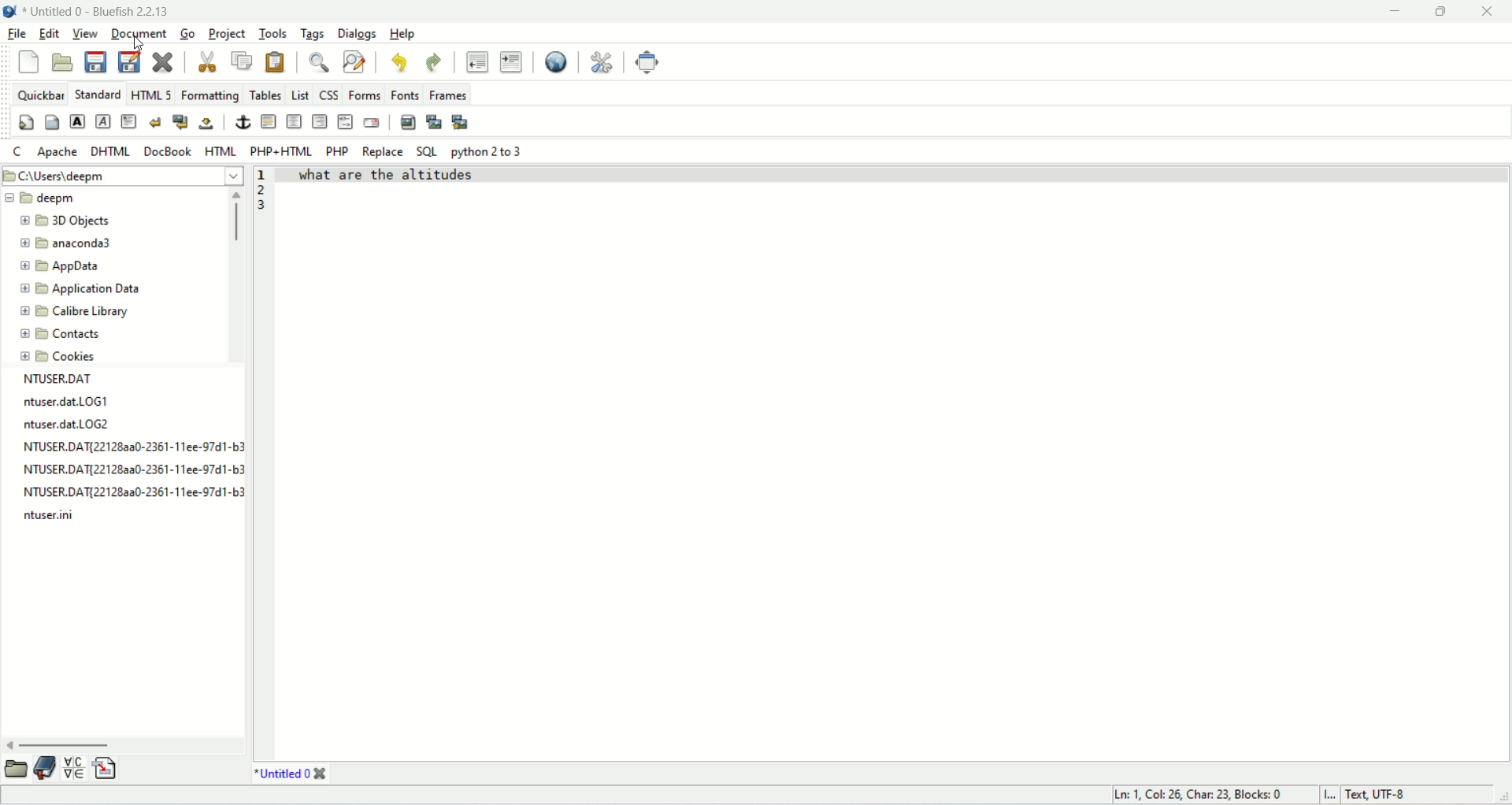 This screenshot has width=1512, height=805. Describe the element at coordinates (39, 93) in the screenshot. I see `quickbar` at that location.